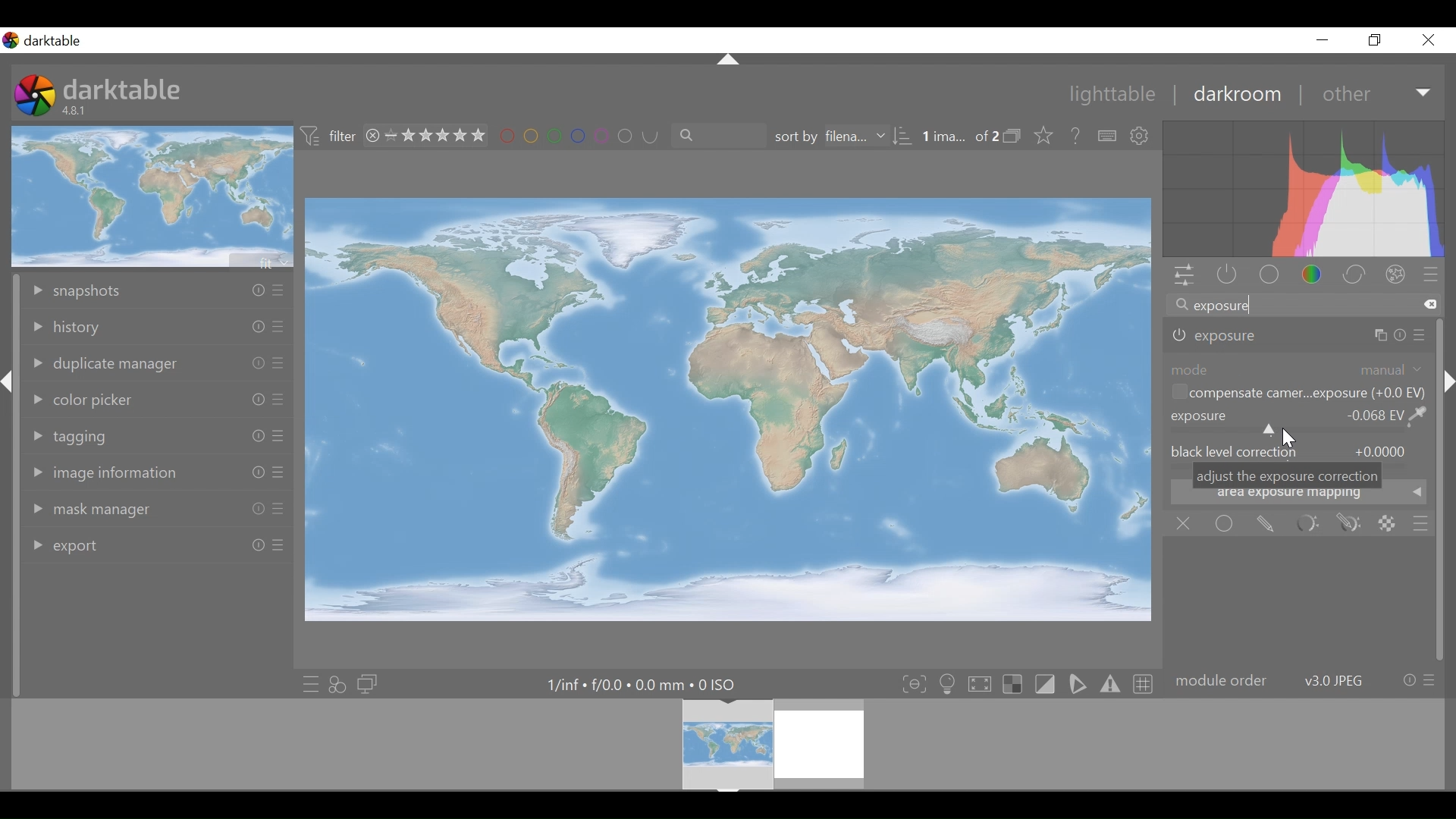 This screenshot has width=1456, height=819. What do you see at coordinates (1077, 685) in the screenshot?
I see `toggle soft proofing` at bounding box center [1077, 685].